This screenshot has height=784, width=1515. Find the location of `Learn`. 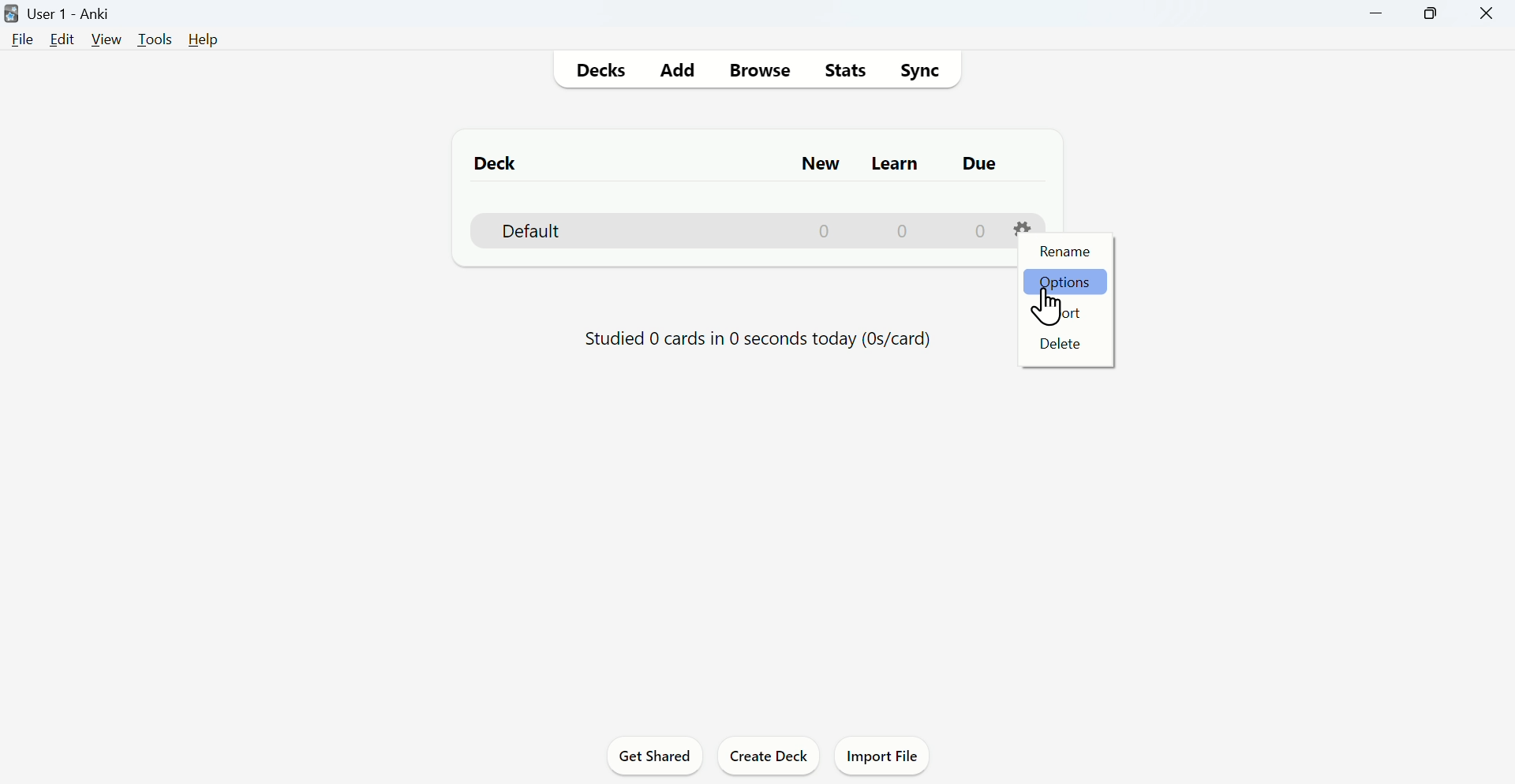

Learn is located at coordinates (897, 163).